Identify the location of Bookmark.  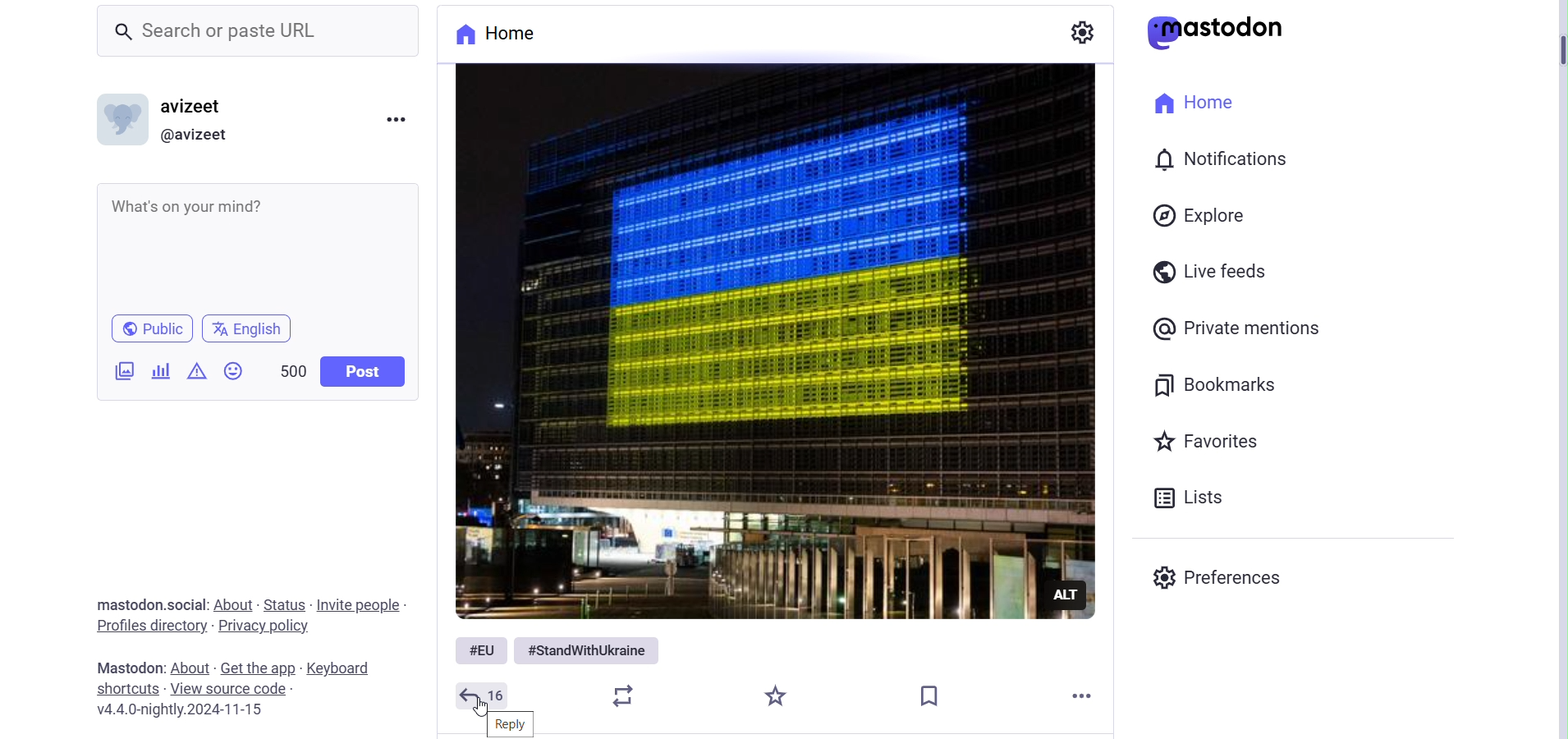
(930, 692).